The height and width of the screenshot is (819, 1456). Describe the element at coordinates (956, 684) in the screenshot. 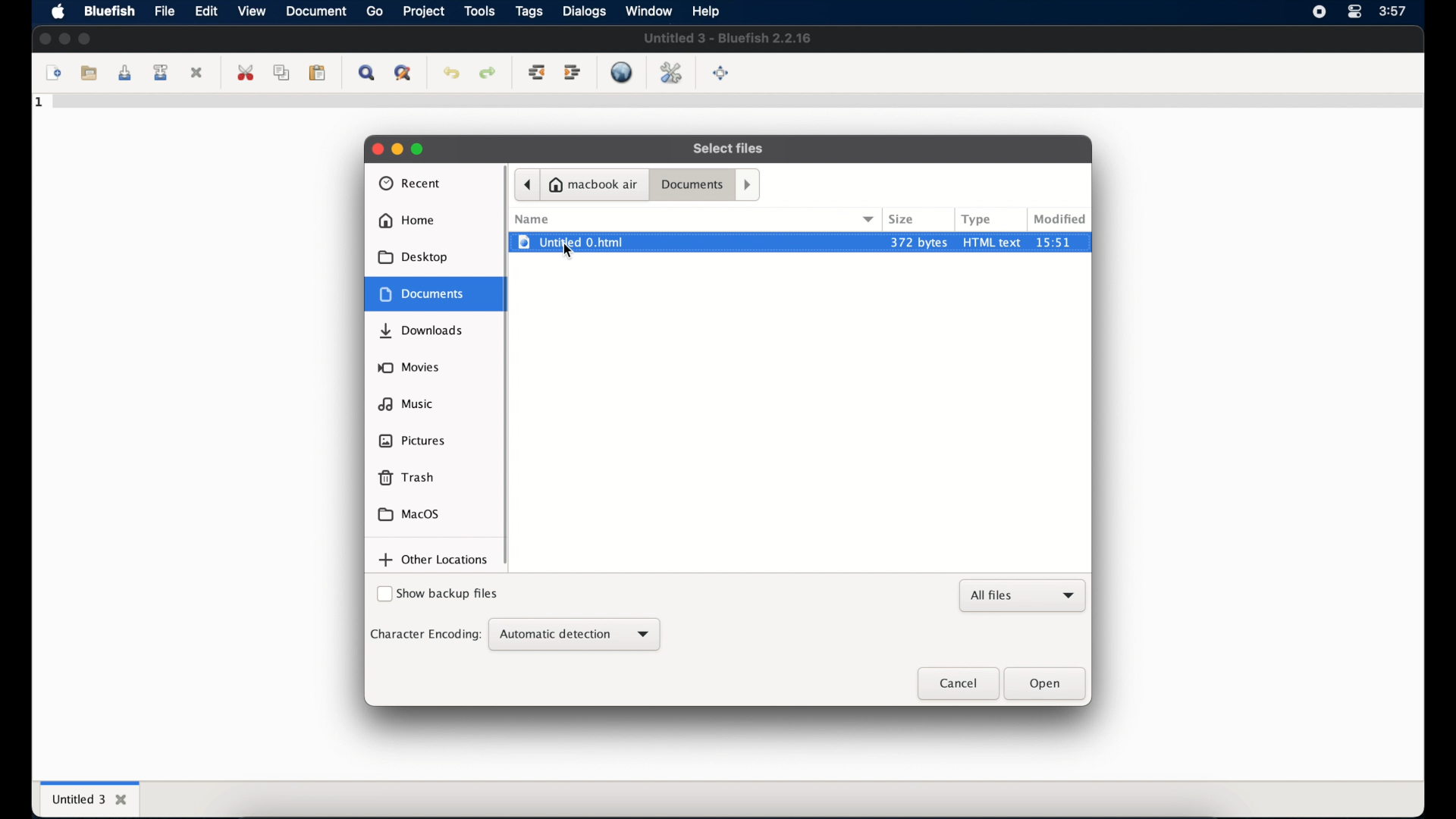

I see `close` at that location.